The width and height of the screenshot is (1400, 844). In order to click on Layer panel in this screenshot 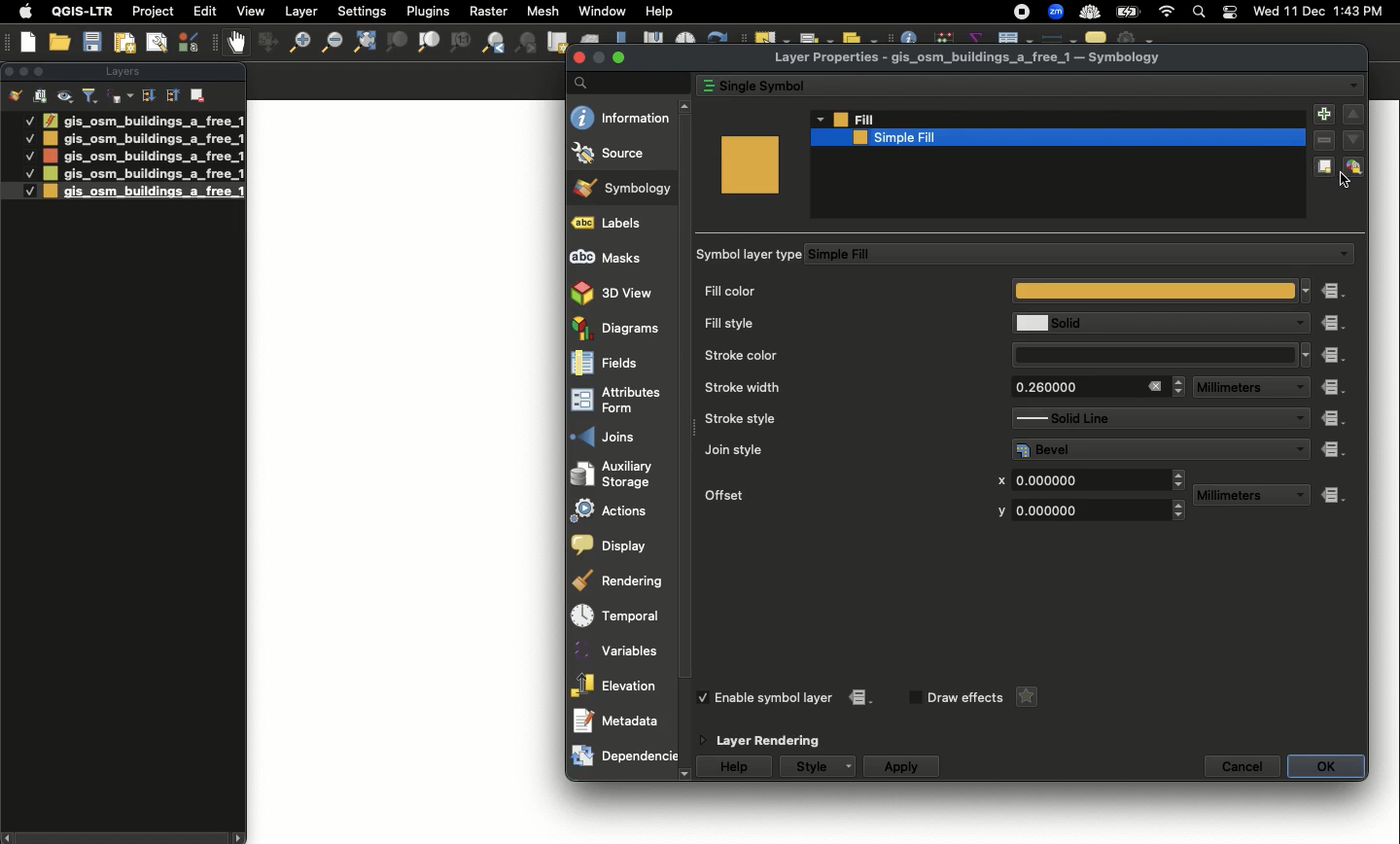, I will do `click(121, 73)`.